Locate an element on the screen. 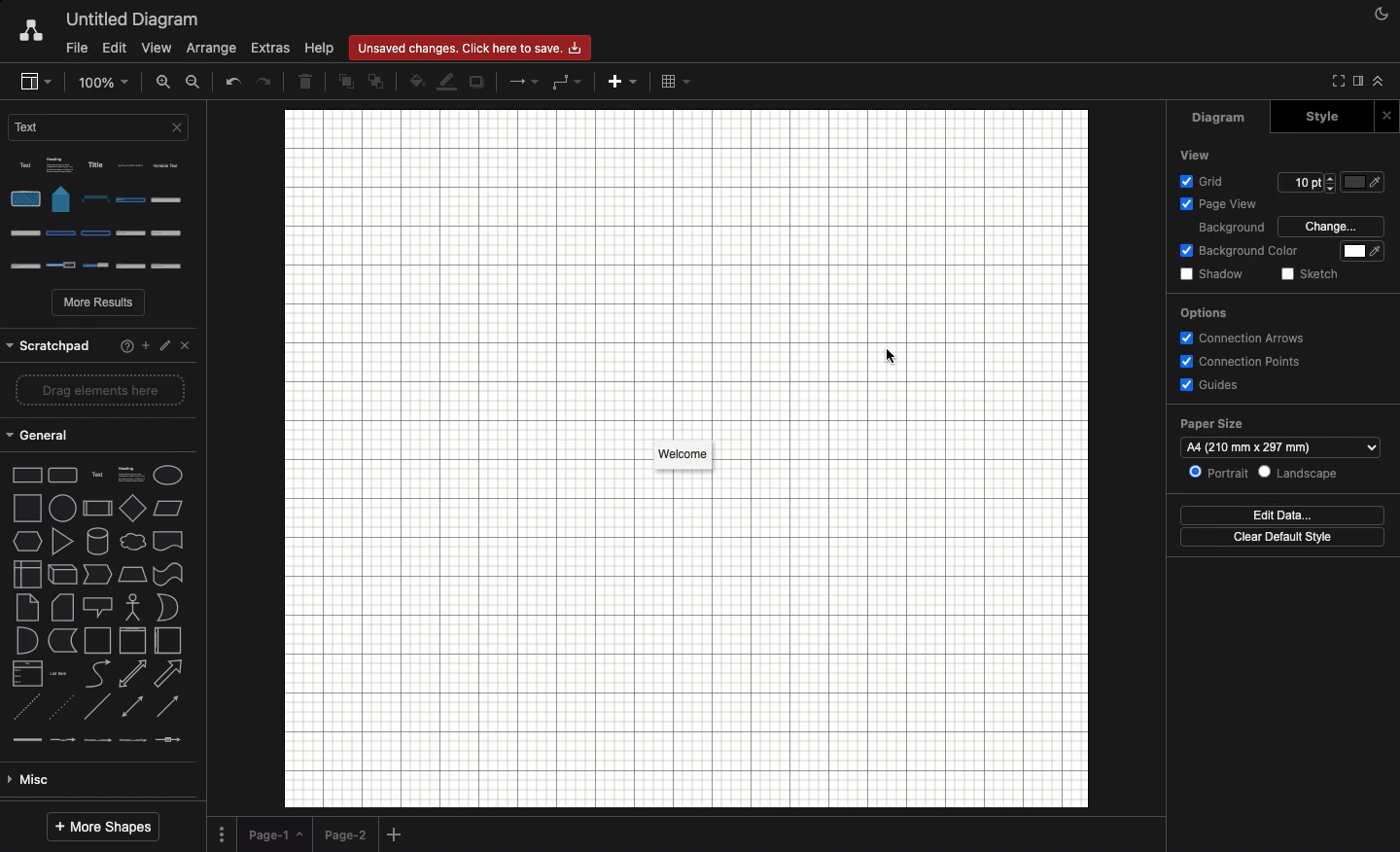 Image resolution: width=1400 pixels, height=852 pixels. Misc is located at coordinates (95, 607).